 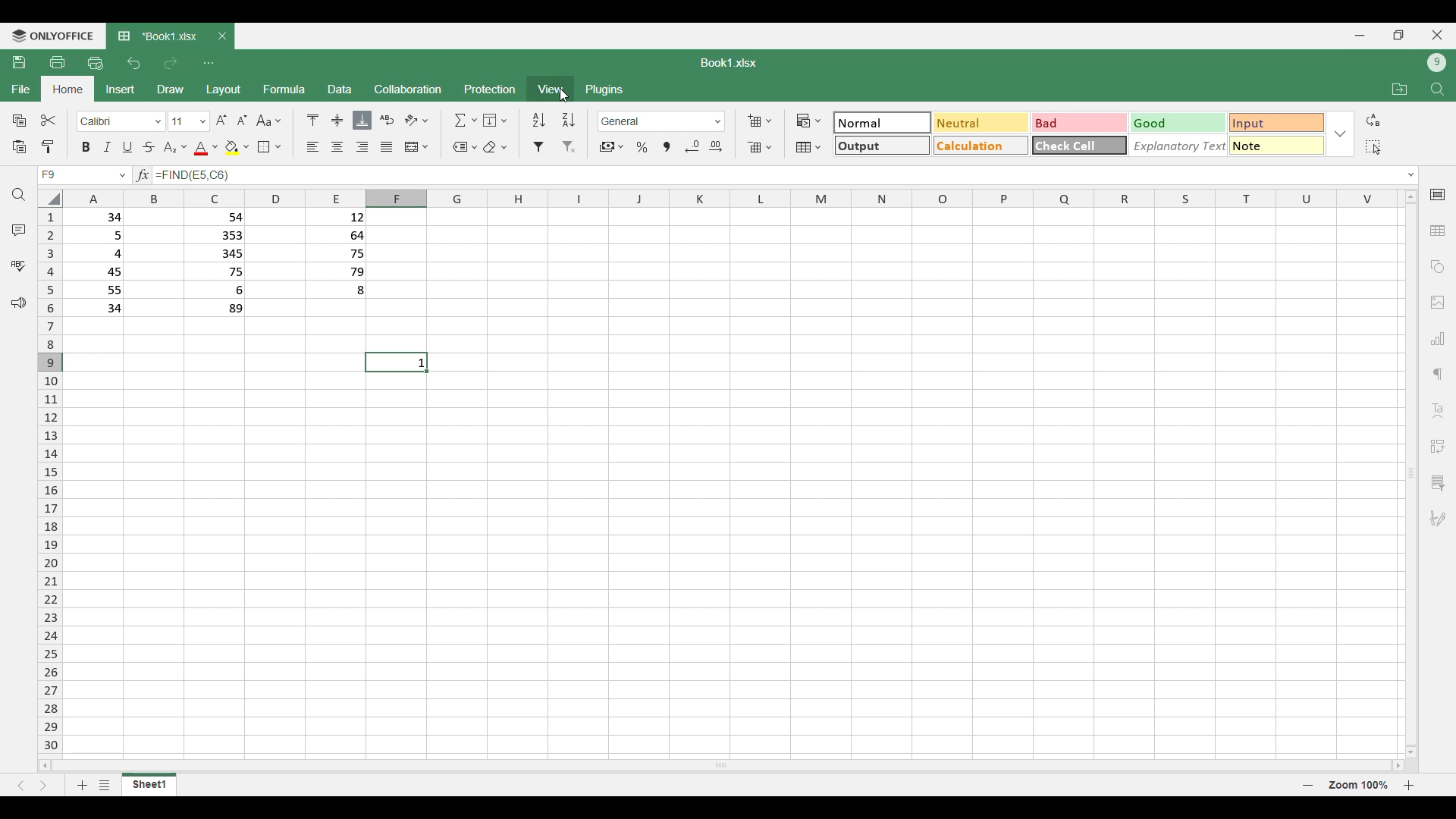 I want to click on Indicates columns, so click(x=736, y=199).